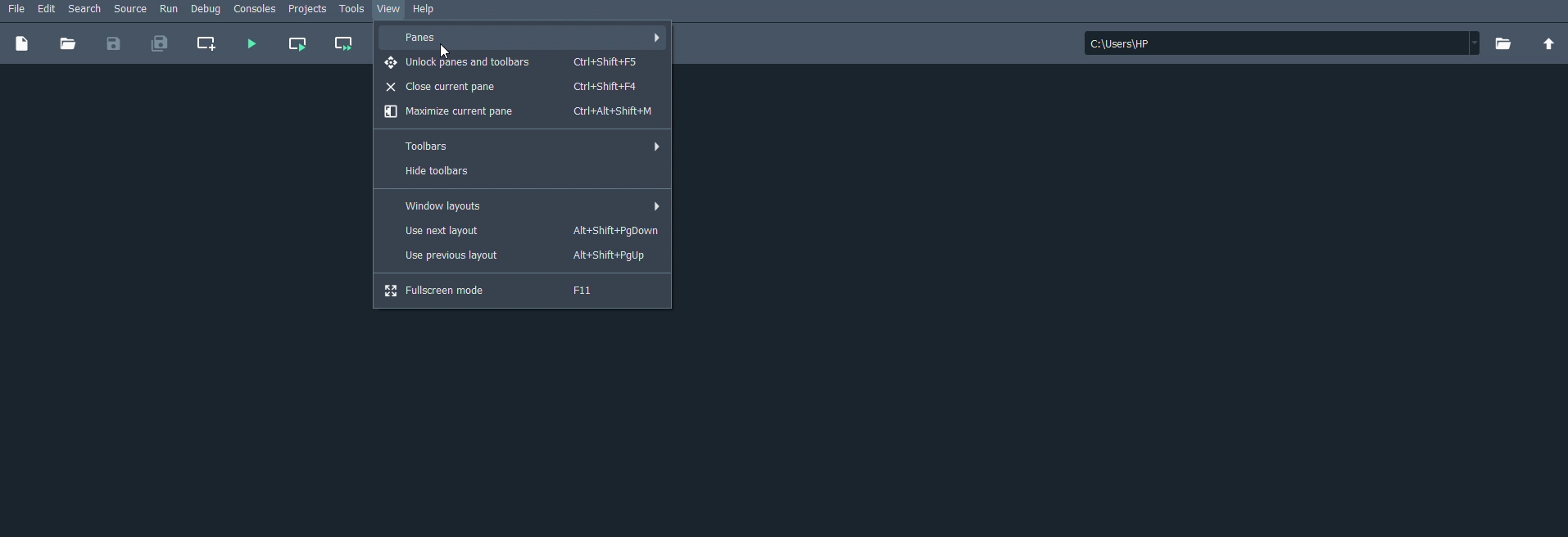  I want to click on Debug, so click(206, 10).